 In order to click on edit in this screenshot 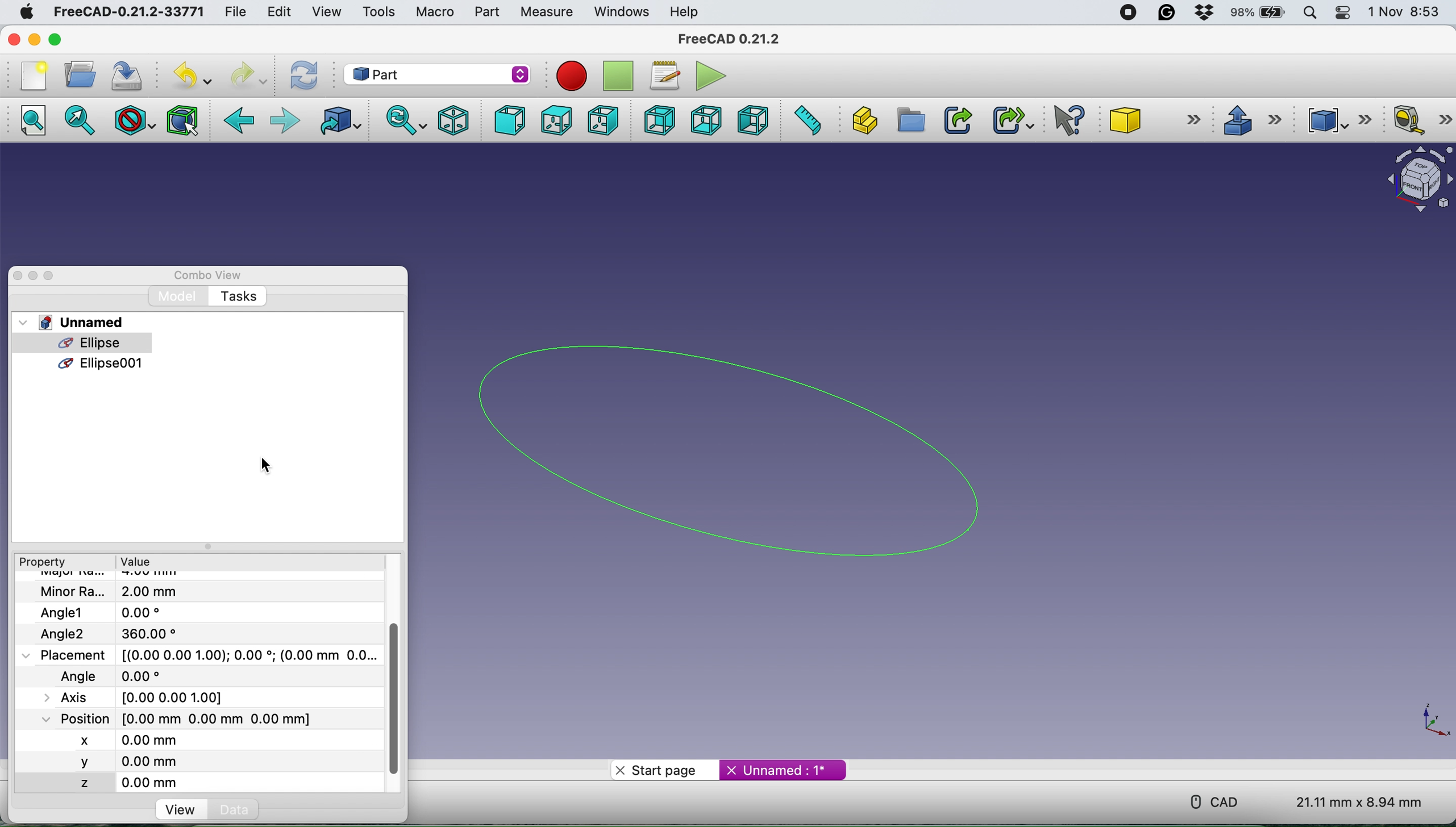, I will do `click(279, 14)`.